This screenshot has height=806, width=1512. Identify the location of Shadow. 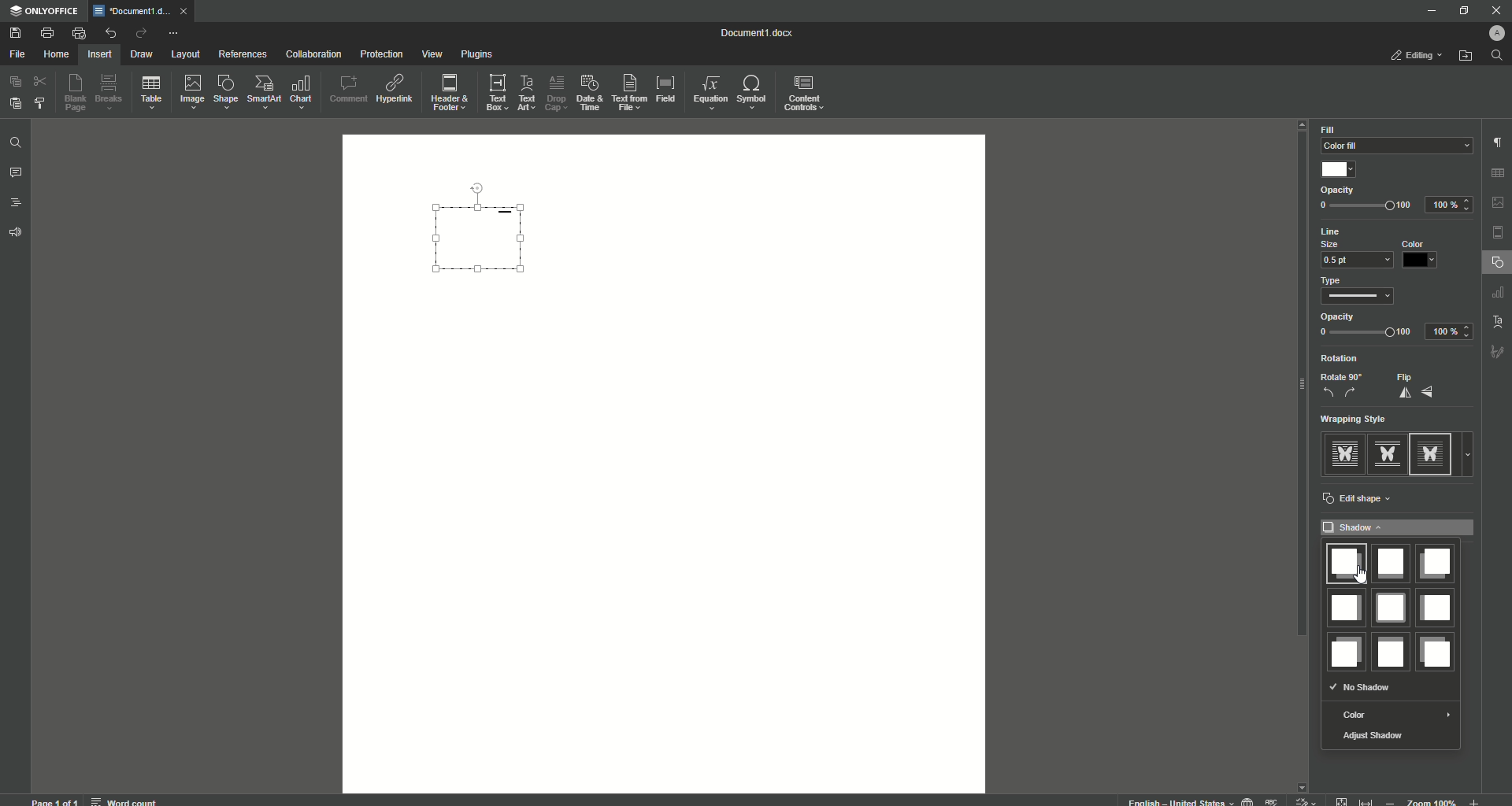
(1399, 527).